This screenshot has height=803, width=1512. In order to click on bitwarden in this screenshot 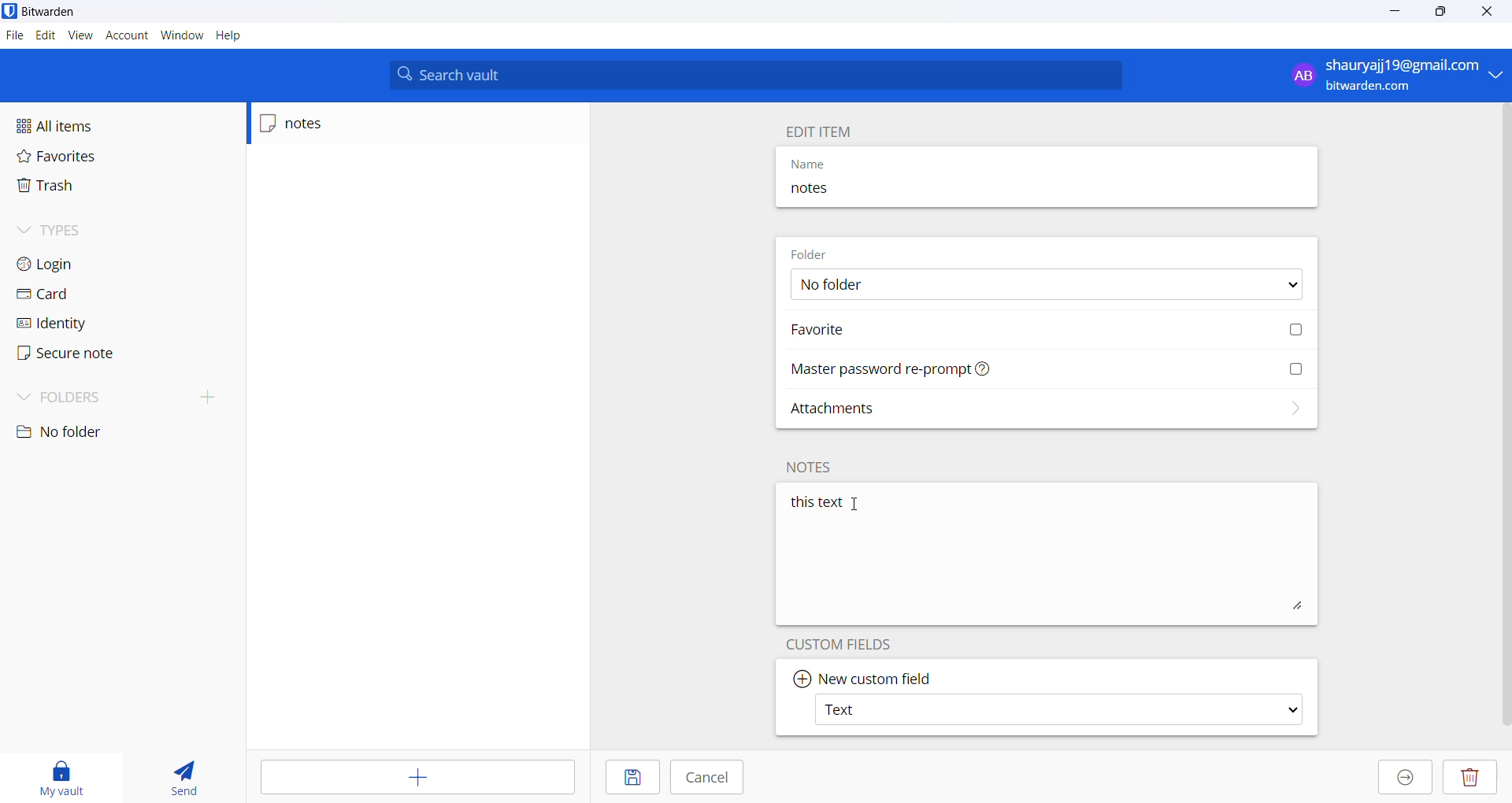, I will do `click(46, 11)`.